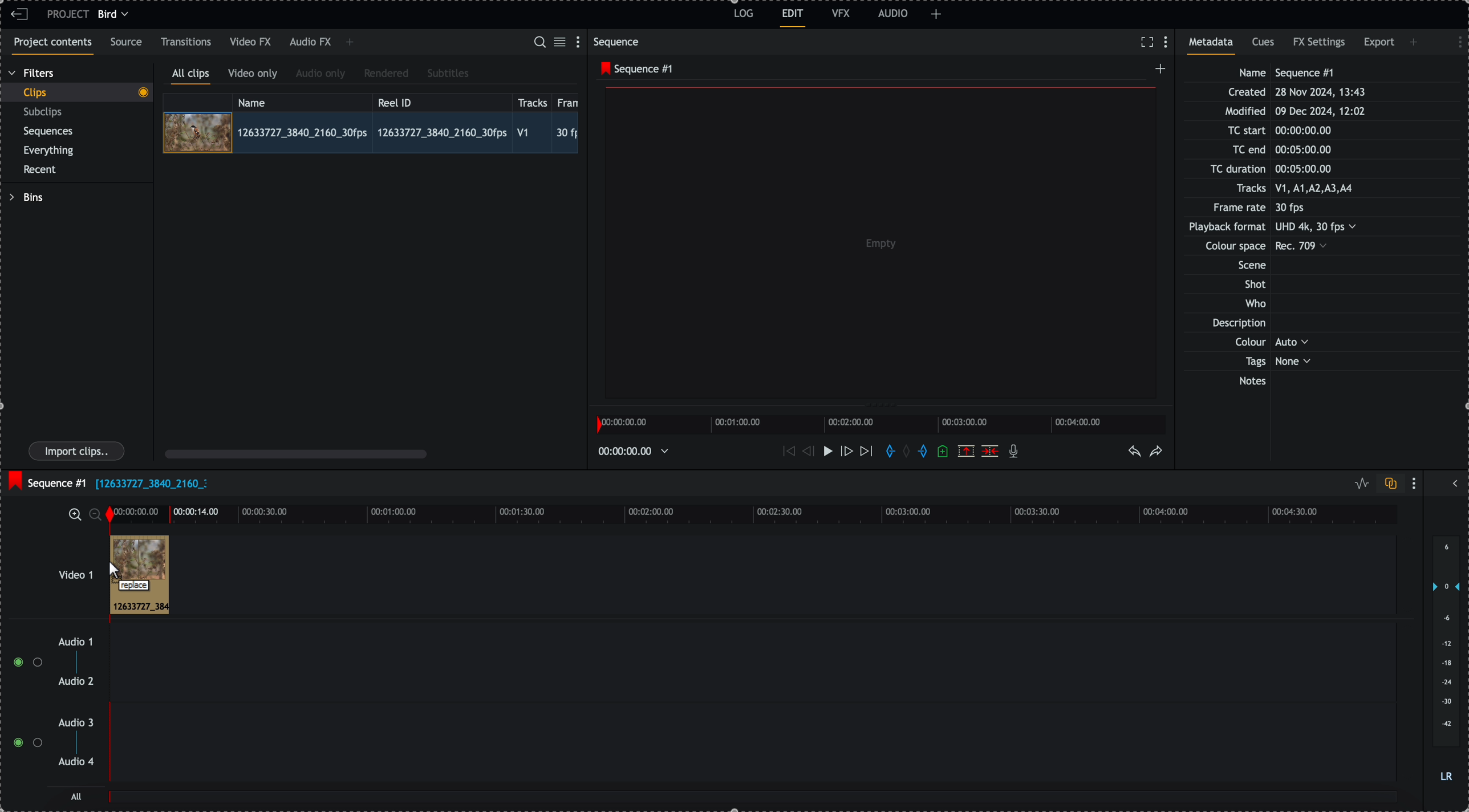 This screenshot has height=812, width=1469. Describe the element at coordinates (79, 723) in the screenshot. I see `audio 3` at that location.